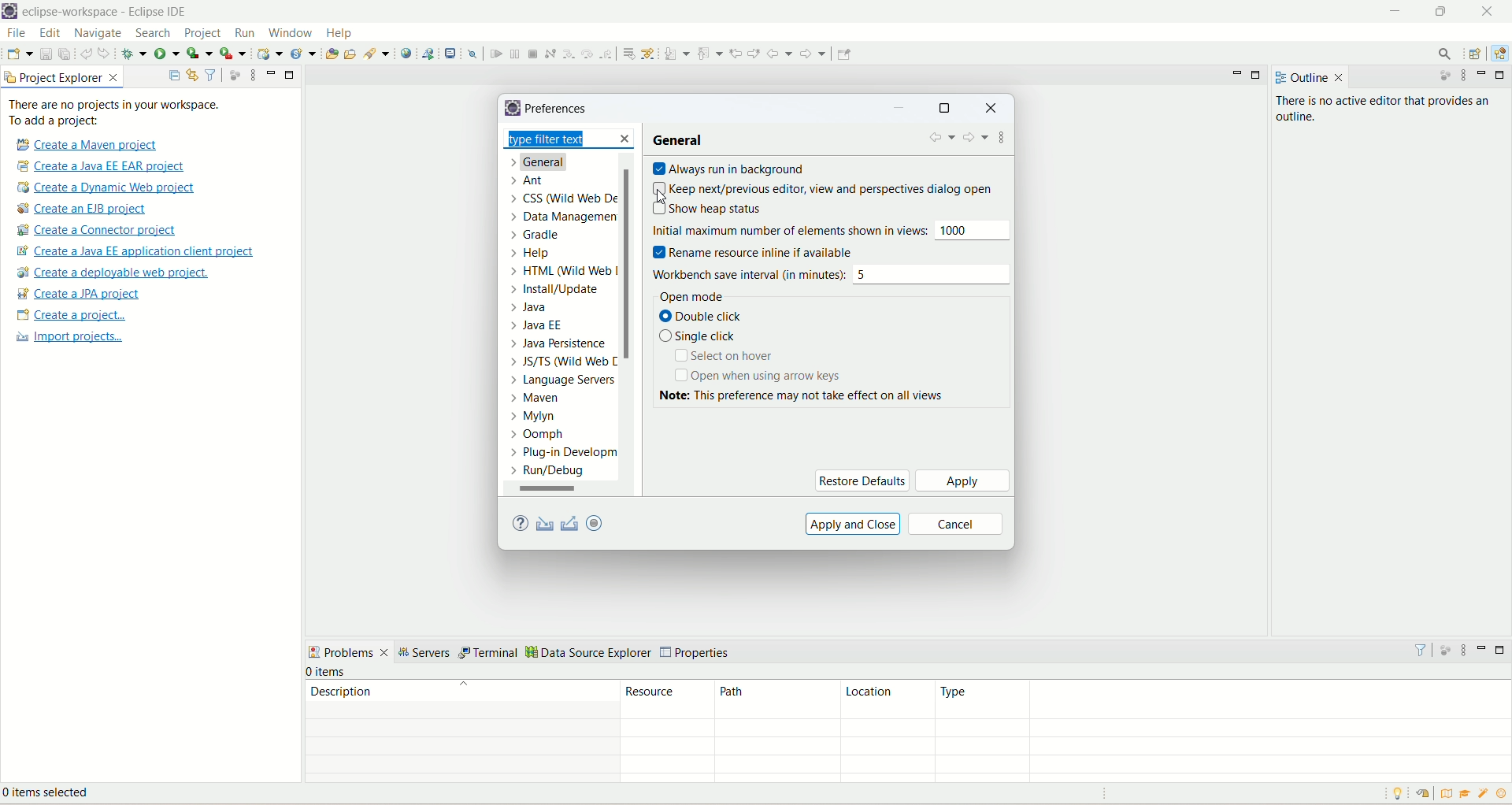 The image size is (1512, 805). What do you see at coordinates (757, 376) in the screenshot?
I see `open when using arrow keys` at bounding box center [757, 376].